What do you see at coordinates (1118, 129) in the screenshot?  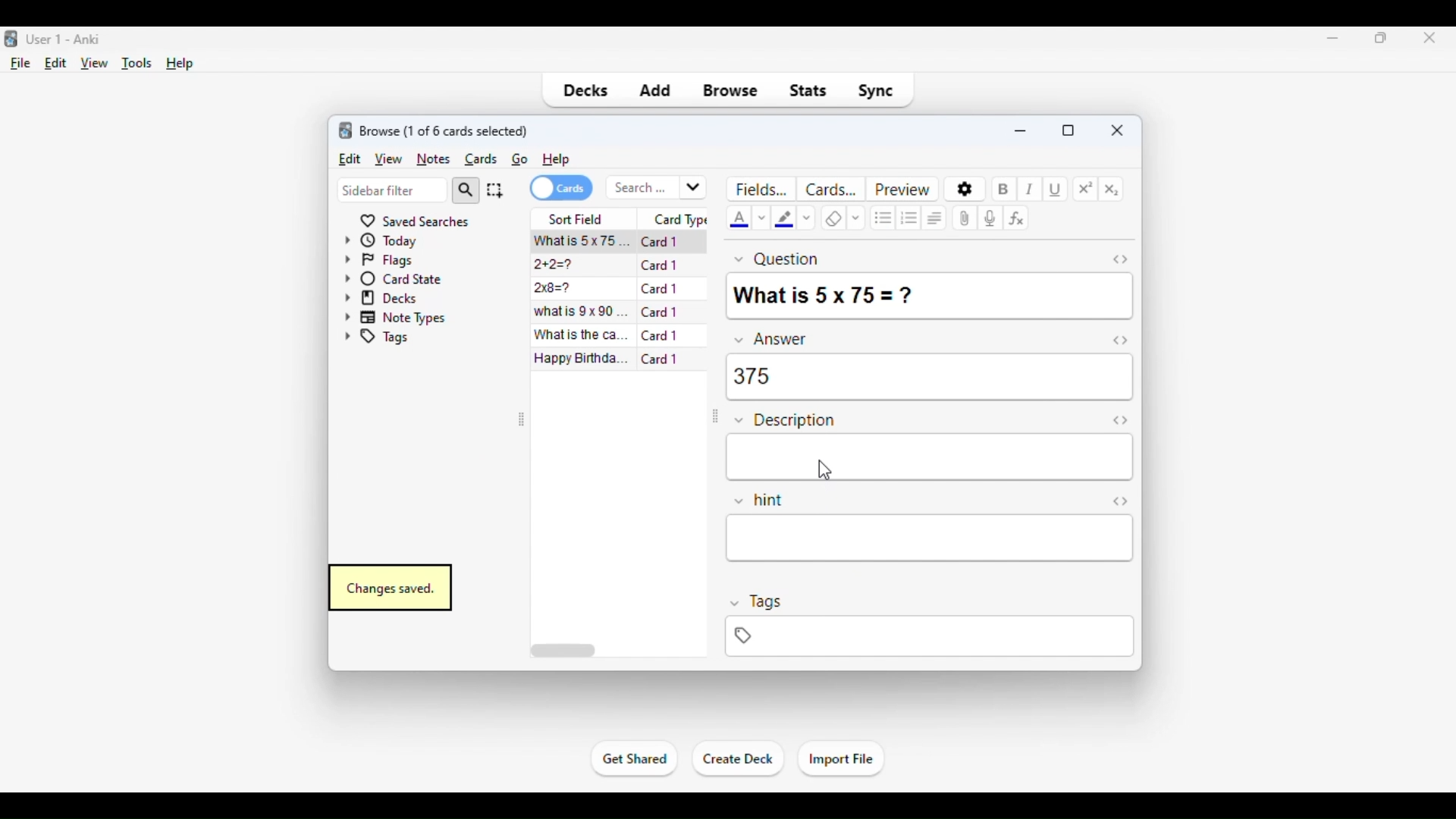 I see `close` at bounding box center [1118, 129].